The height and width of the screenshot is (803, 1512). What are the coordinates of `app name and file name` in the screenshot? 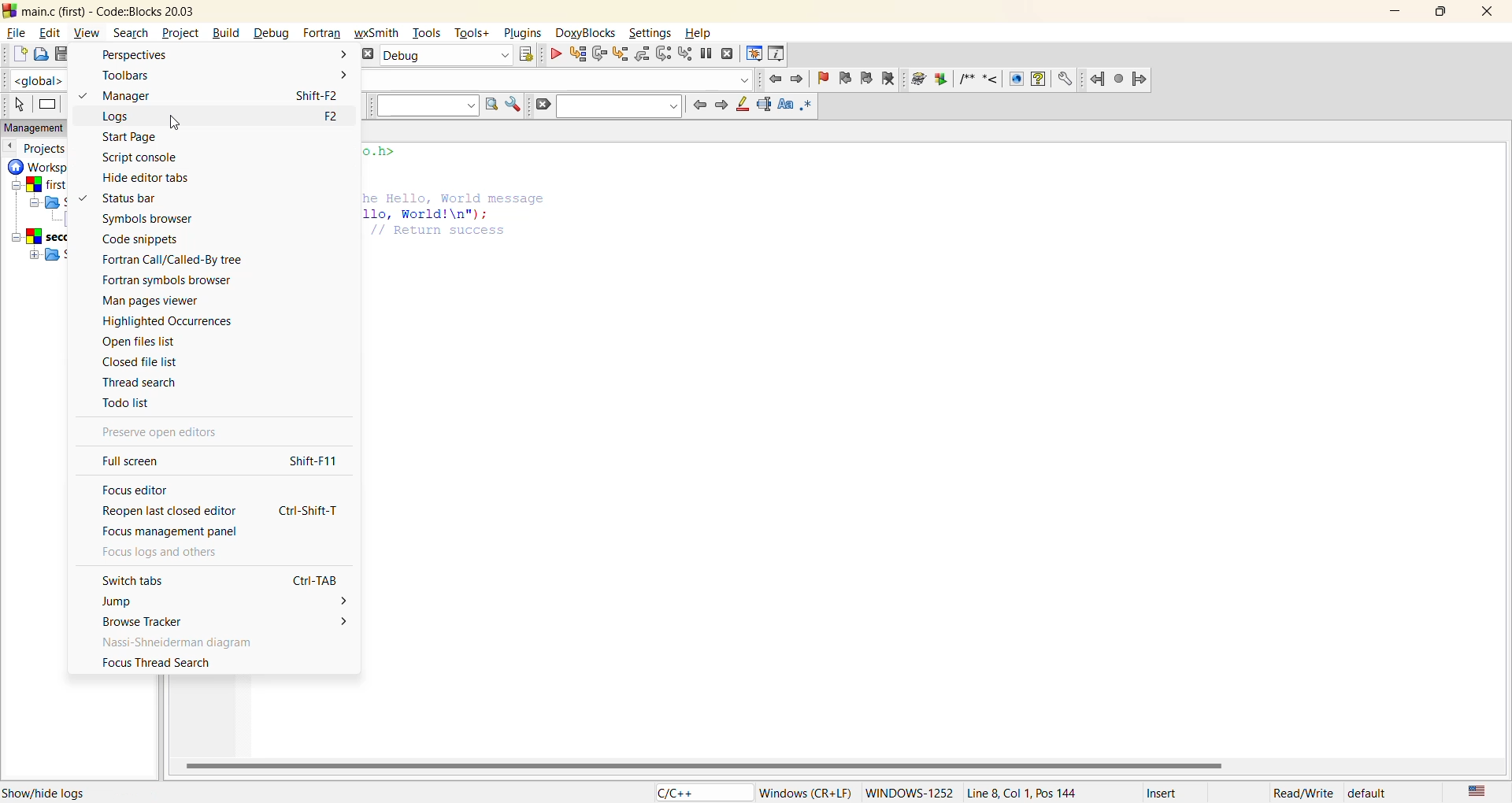 It's located at (108, 11).